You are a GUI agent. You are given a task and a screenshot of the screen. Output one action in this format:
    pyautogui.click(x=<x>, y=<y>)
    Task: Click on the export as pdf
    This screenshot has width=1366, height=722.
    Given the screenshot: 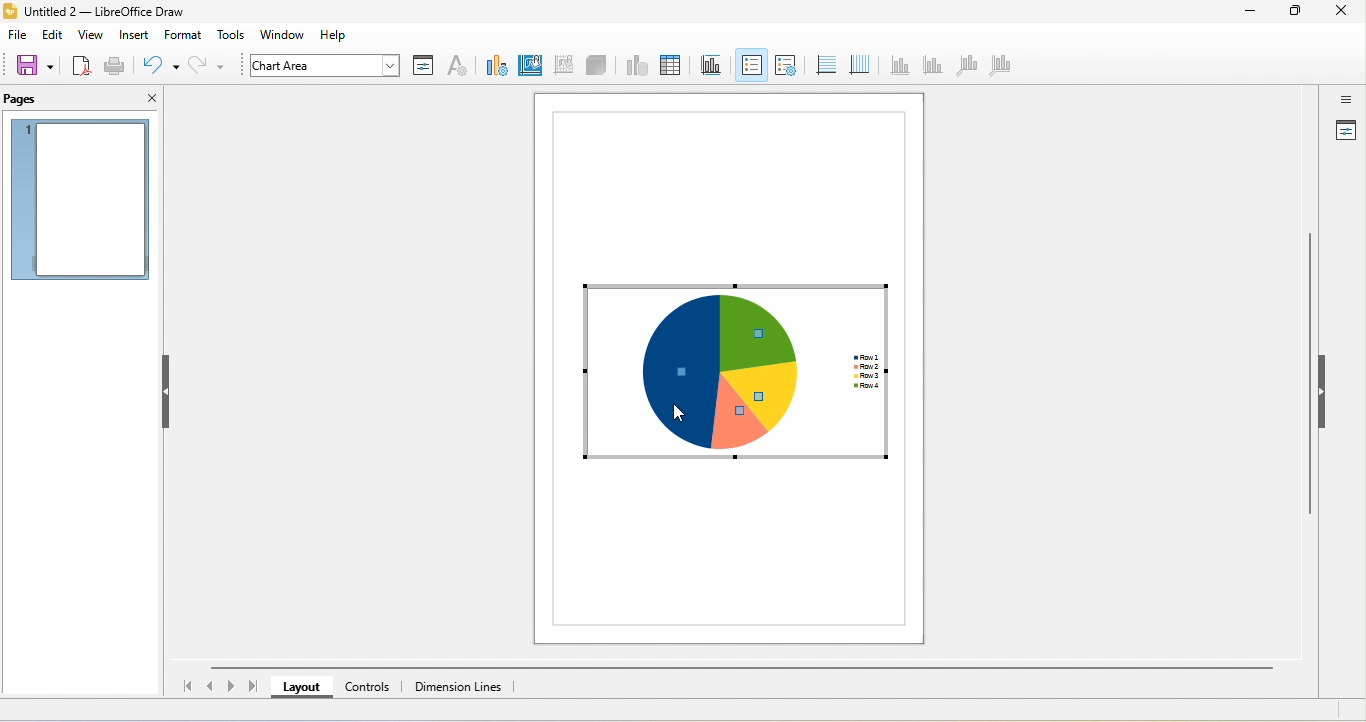 What is the action you would take?
    pyautogui.click(x=81, y=65)
    